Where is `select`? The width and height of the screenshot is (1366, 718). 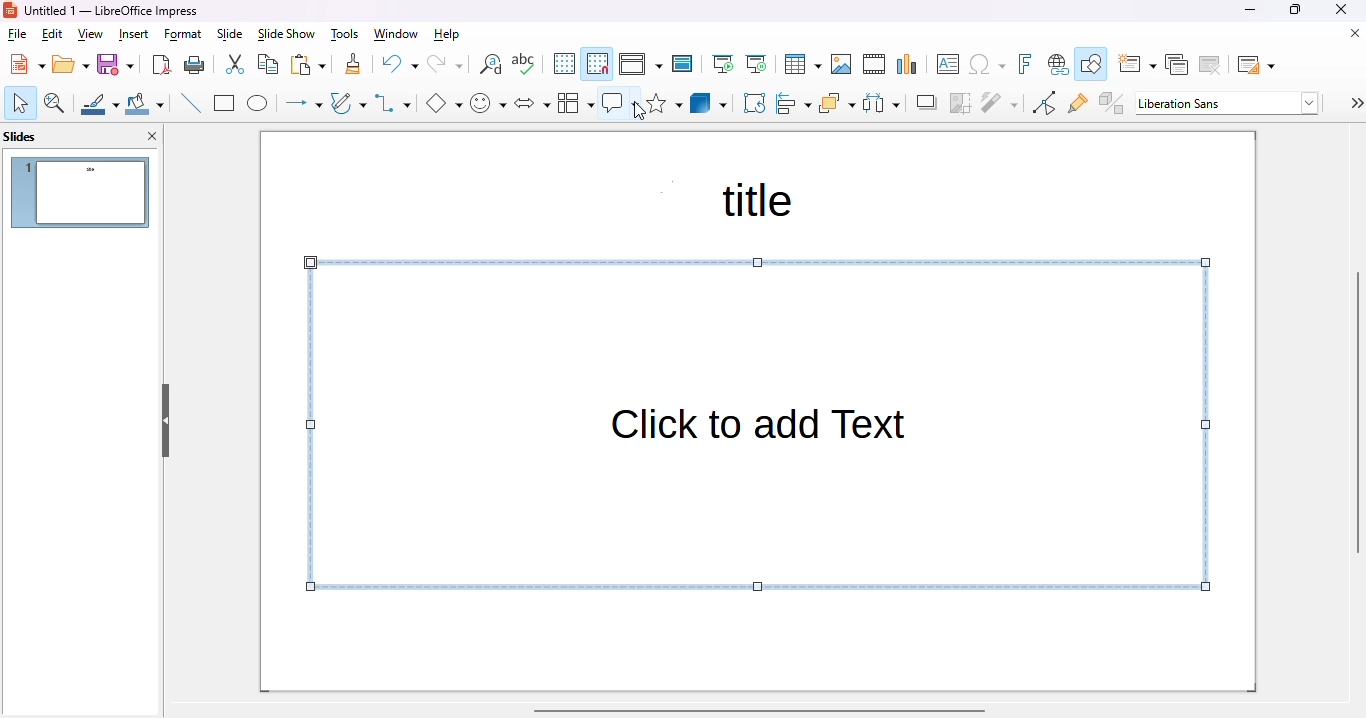 select is located at coordinates (20, 103).